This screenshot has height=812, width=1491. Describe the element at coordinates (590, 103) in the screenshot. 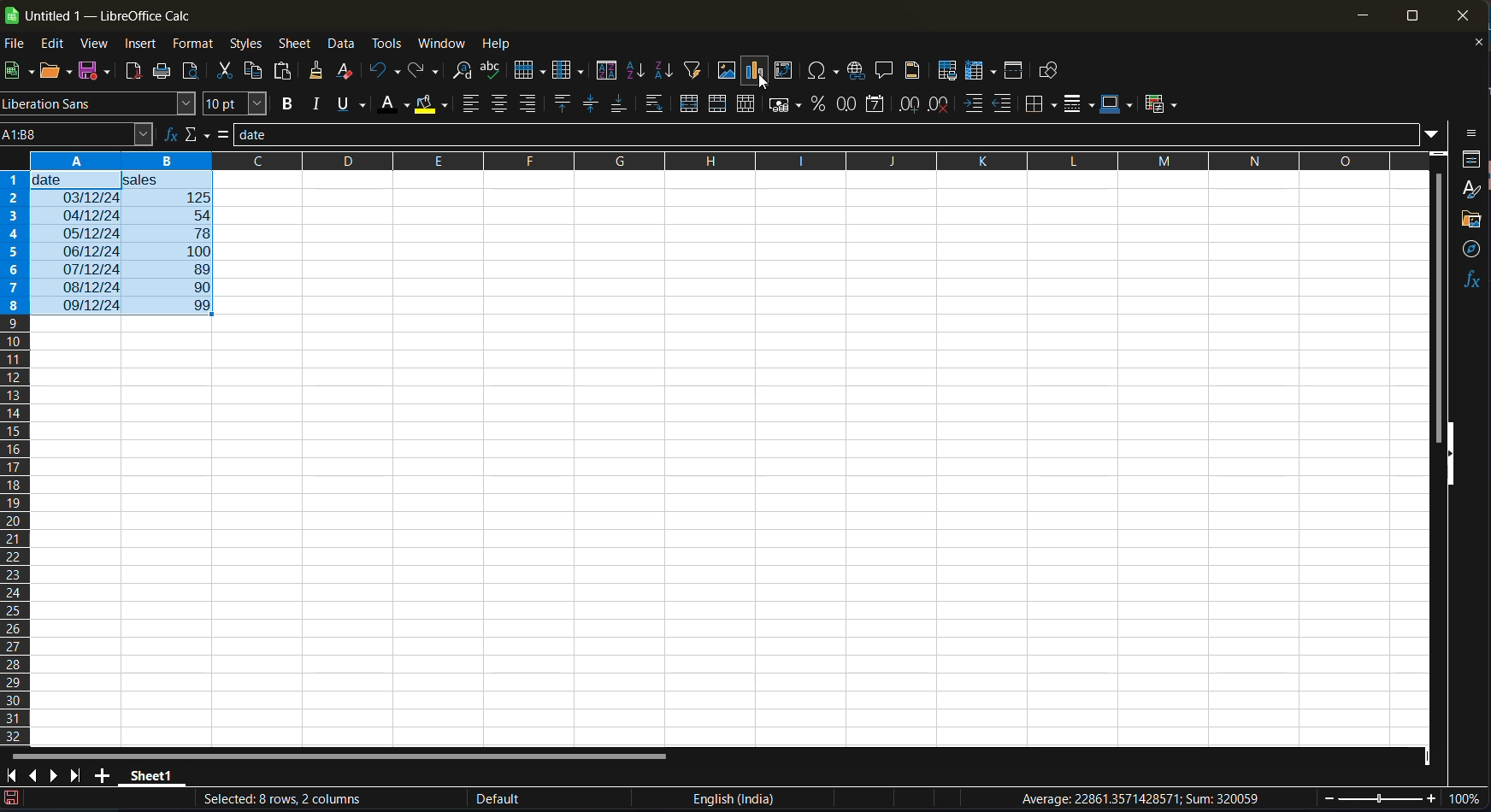

I see `center vertically` at that location.